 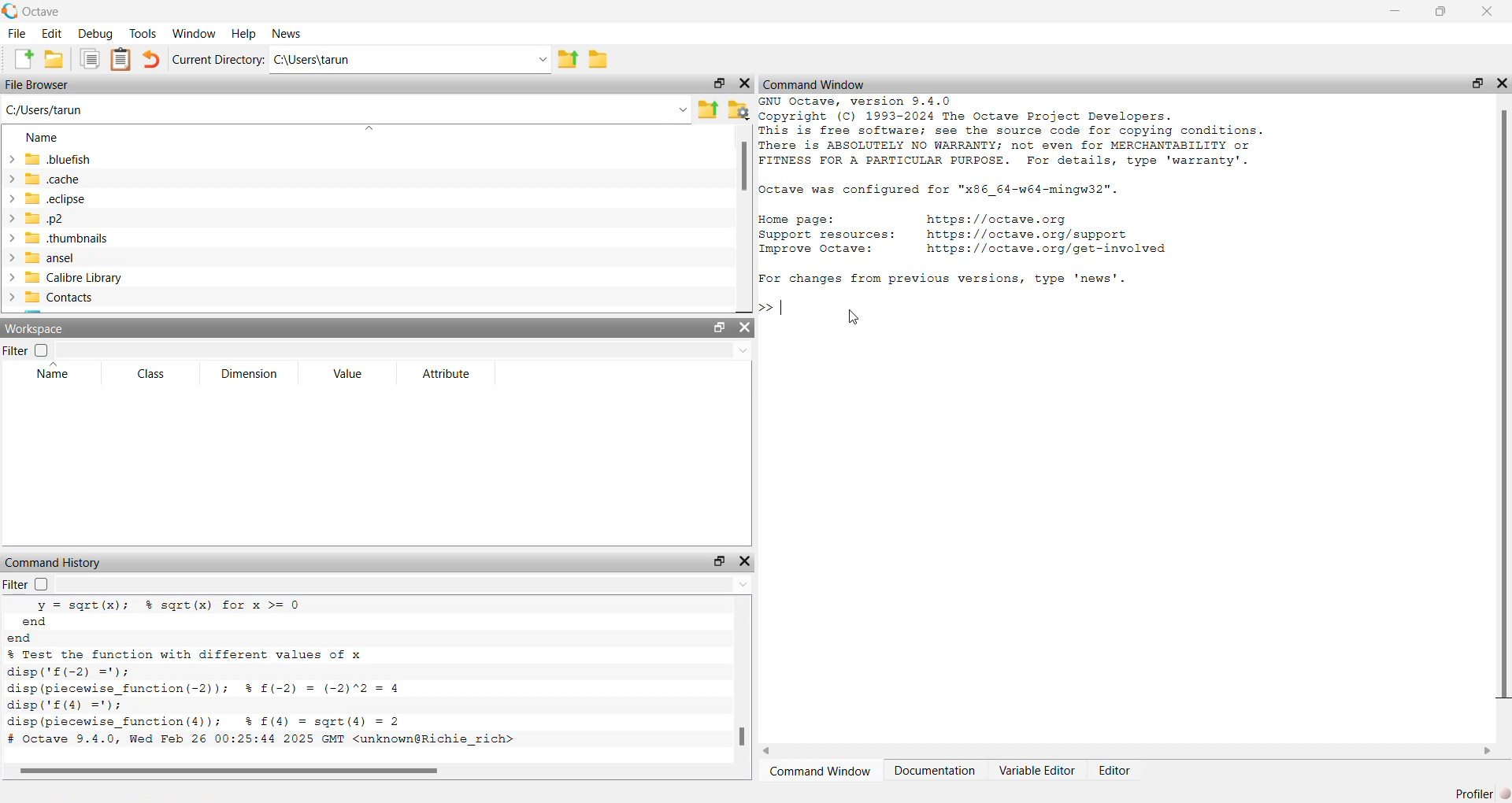 What do you see at coordinates (195, 32) in the screenshot?
I see `Window` at bounding box center [195, 32].